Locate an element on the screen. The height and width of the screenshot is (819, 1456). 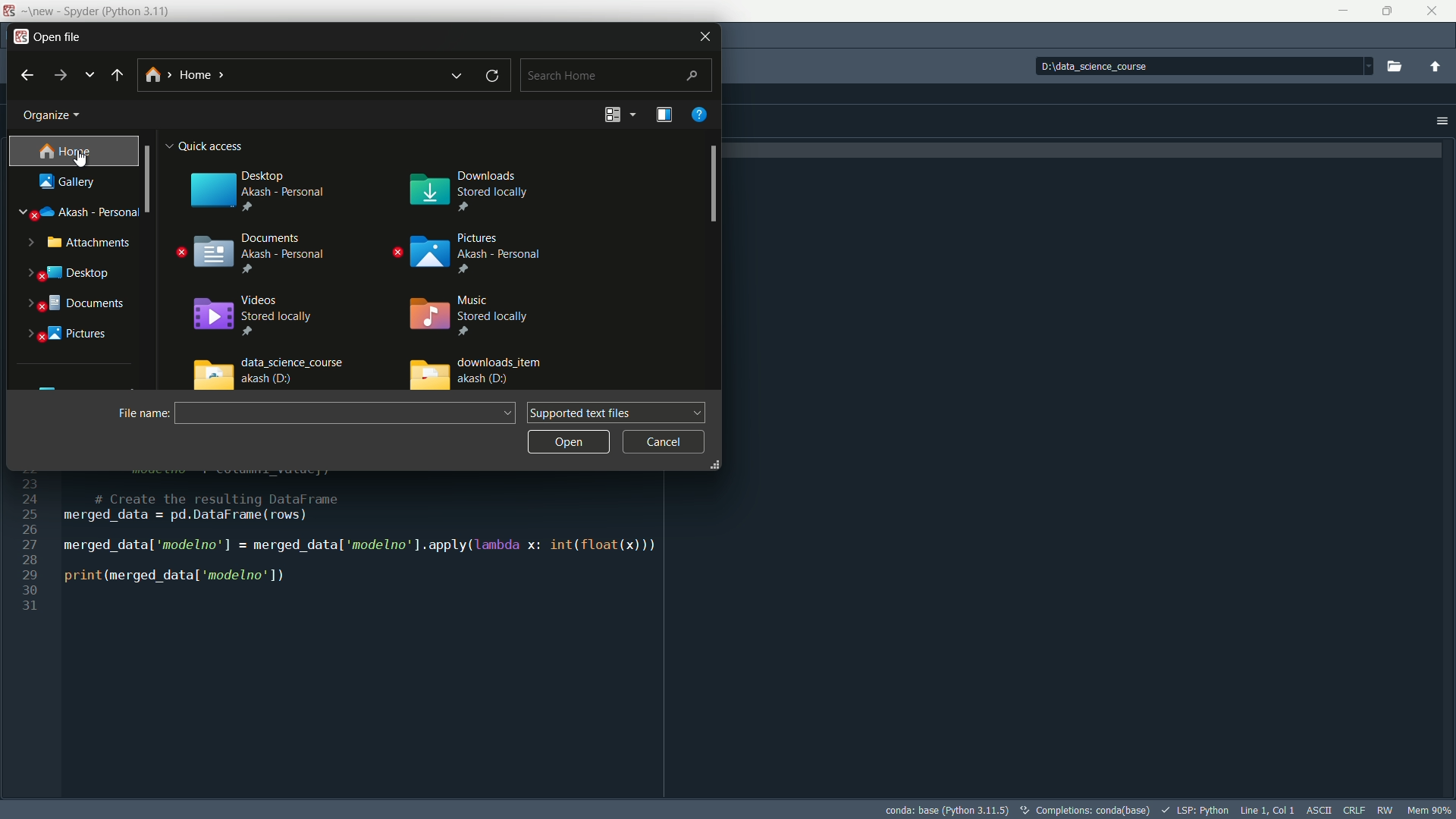
quick access is located at coordinates (212, 144).